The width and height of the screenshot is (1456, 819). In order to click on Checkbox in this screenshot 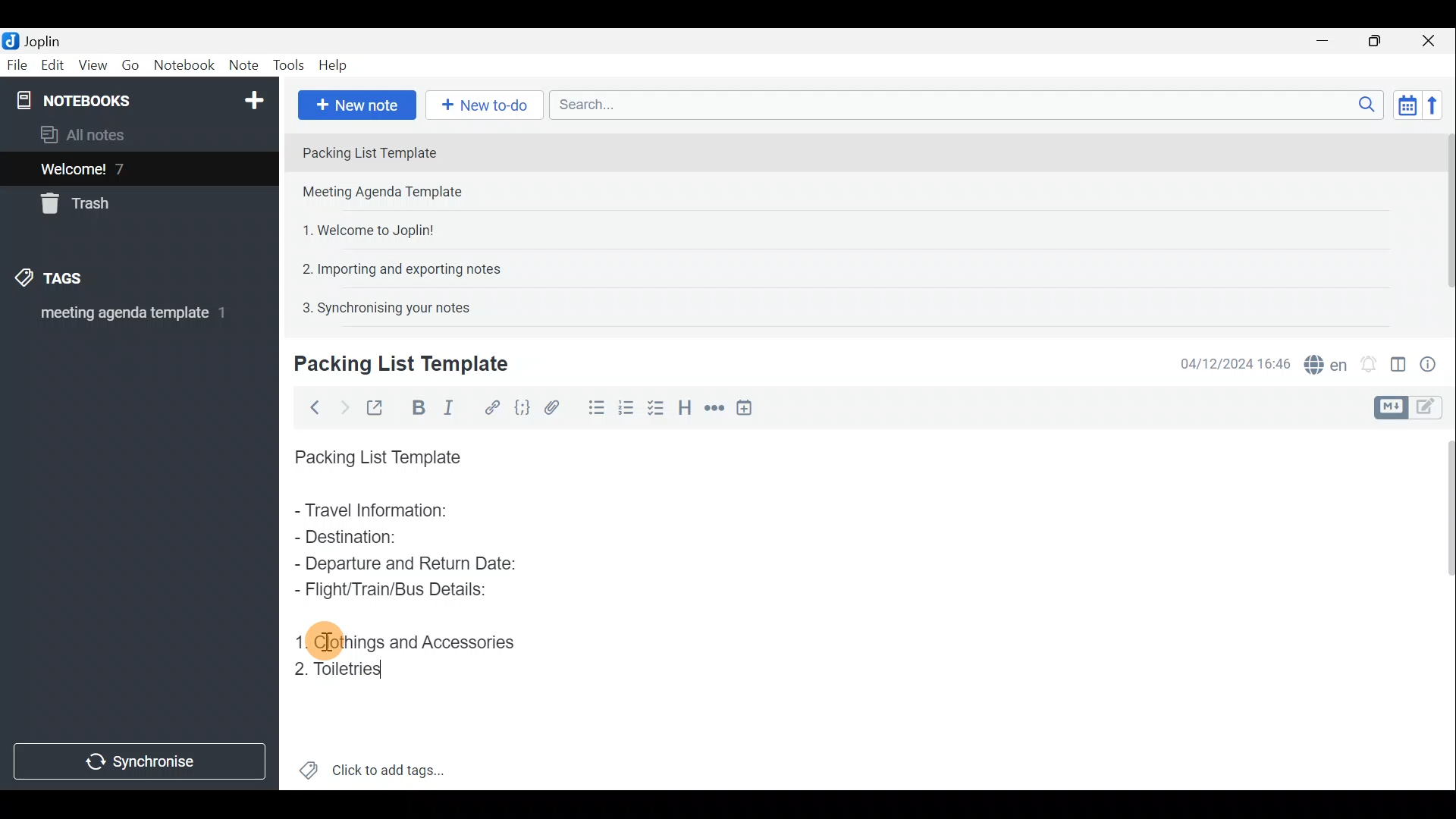, I will do `click(626, 405)`.